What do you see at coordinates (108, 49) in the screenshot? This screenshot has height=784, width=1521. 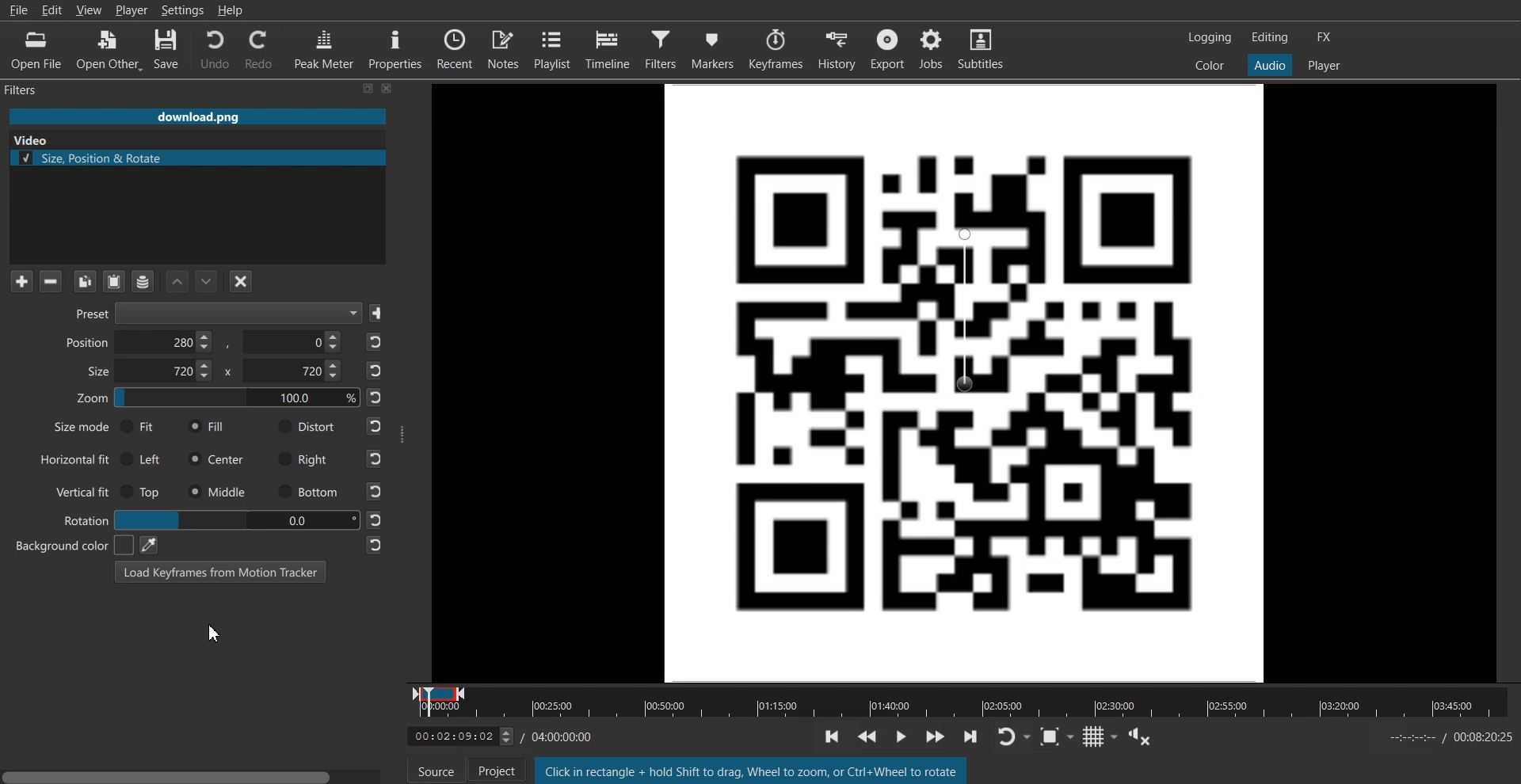 I see `Open Other` at bounding box center [108, 49].